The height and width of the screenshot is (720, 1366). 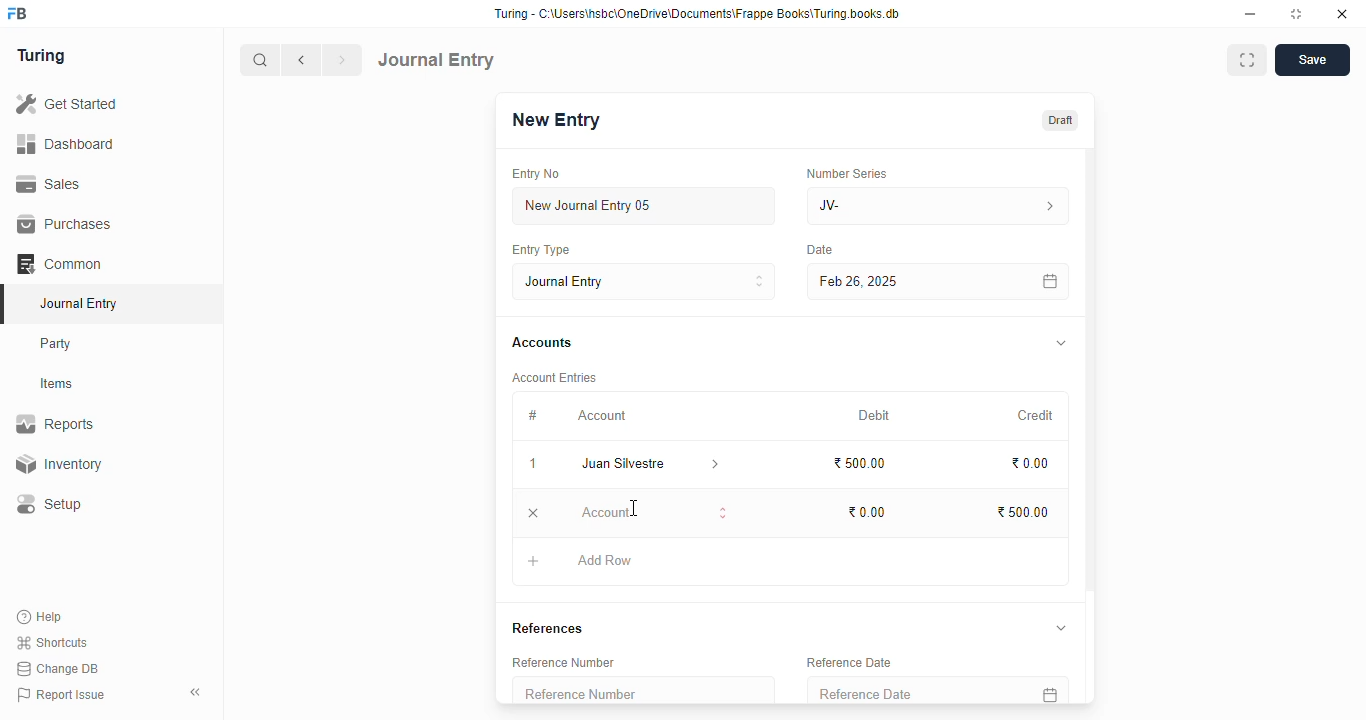 What do you see at coordinates (17, 13) in the screenshot?
I see `FB - logo` at bounding box center [17, 13].